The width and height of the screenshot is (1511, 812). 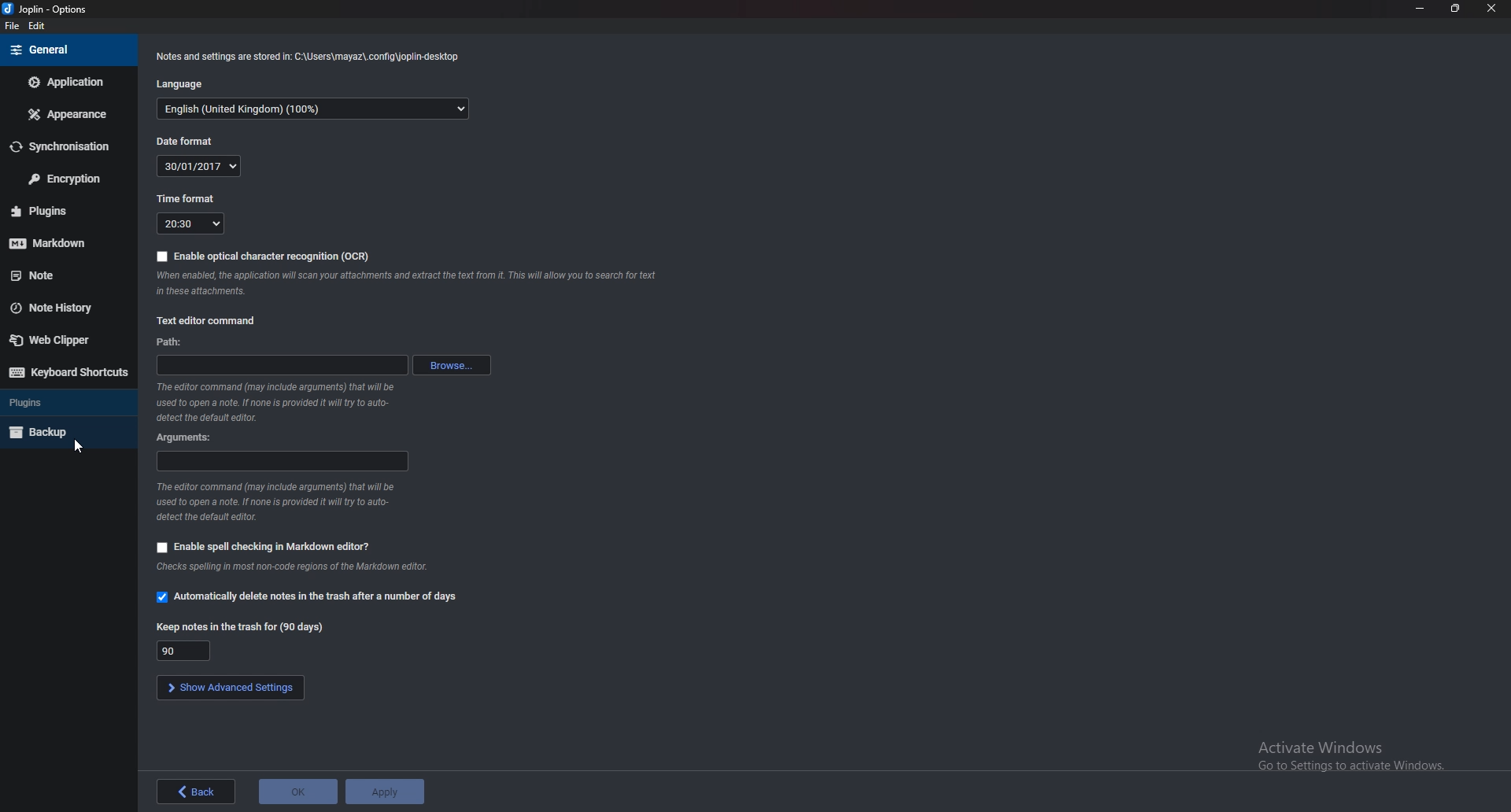 I want to click on Plugins, so click(x=65, y=403).